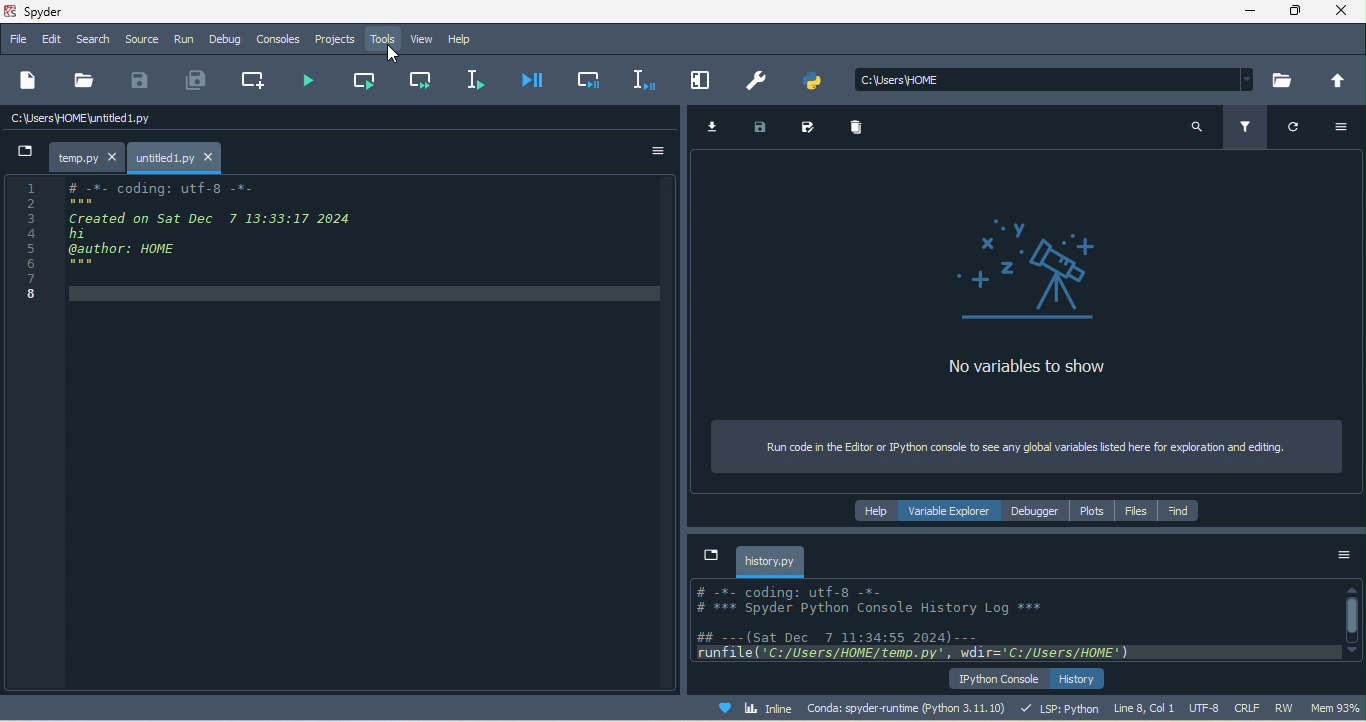 The image size is (1366, 722). What do you see at coordinates (1336, 80) in the screenshot?
I see `change to parent directoy` at bounding box center [1336, 80].